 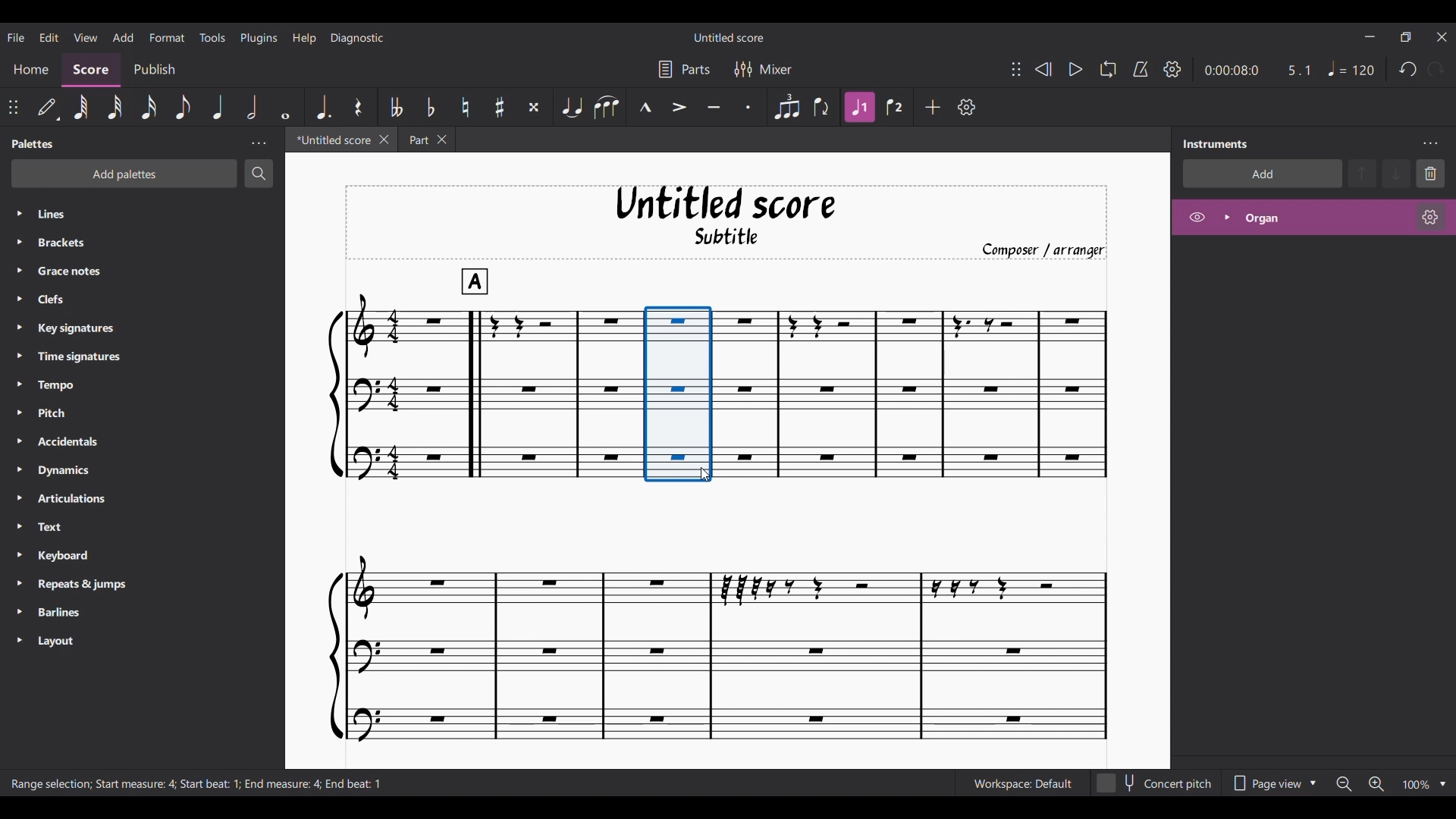 What do you see at coordinates (1362, 173) in the screenshot?
I see `Move up` at bounding box center [1362, 173].